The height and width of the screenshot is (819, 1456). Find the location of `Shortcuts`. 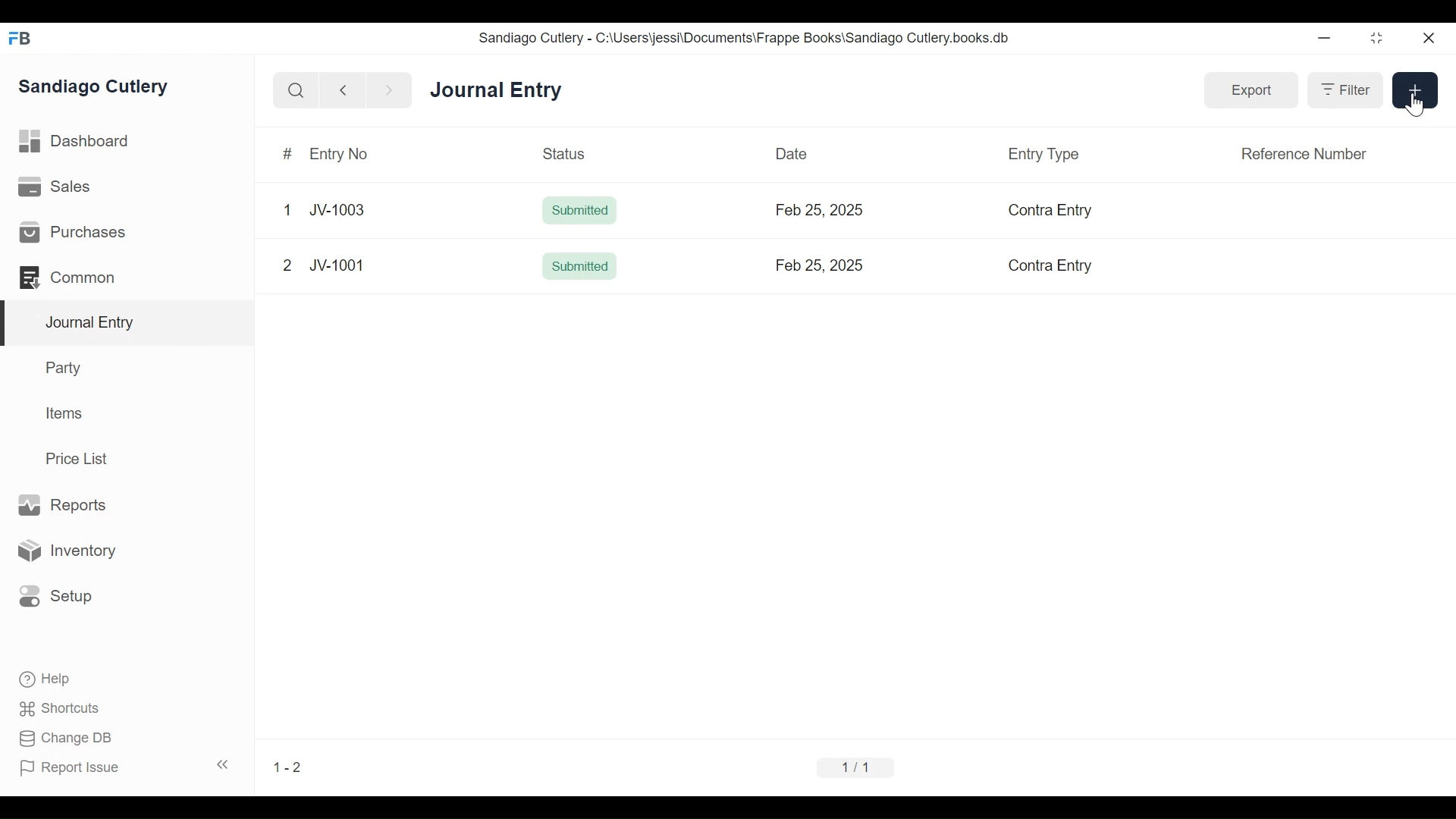

Shortcuts is located at coordinates (61, 711).